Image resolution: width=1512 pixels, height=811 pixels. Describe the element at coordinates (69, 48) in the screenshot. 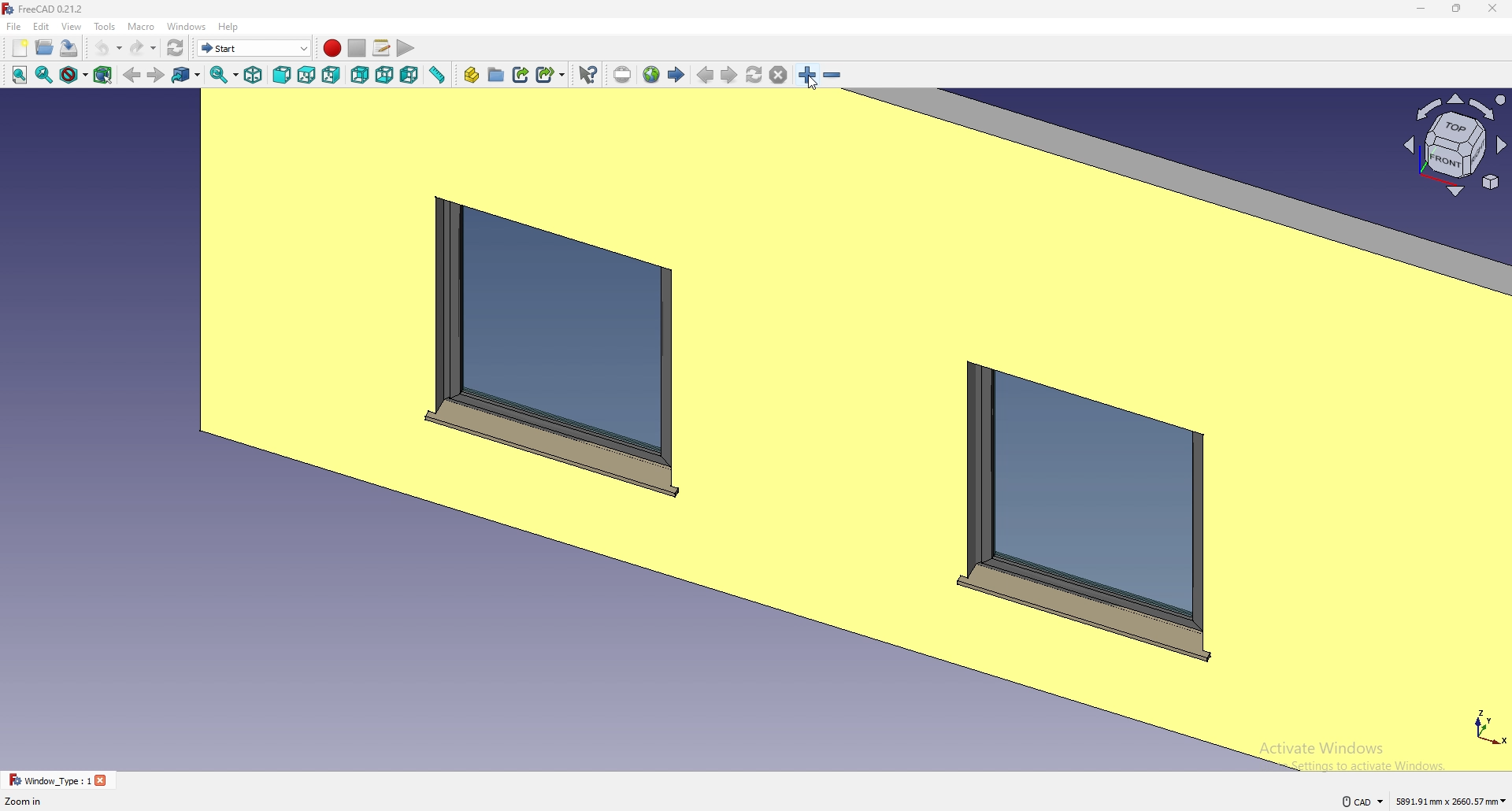

I see `save` at that location.